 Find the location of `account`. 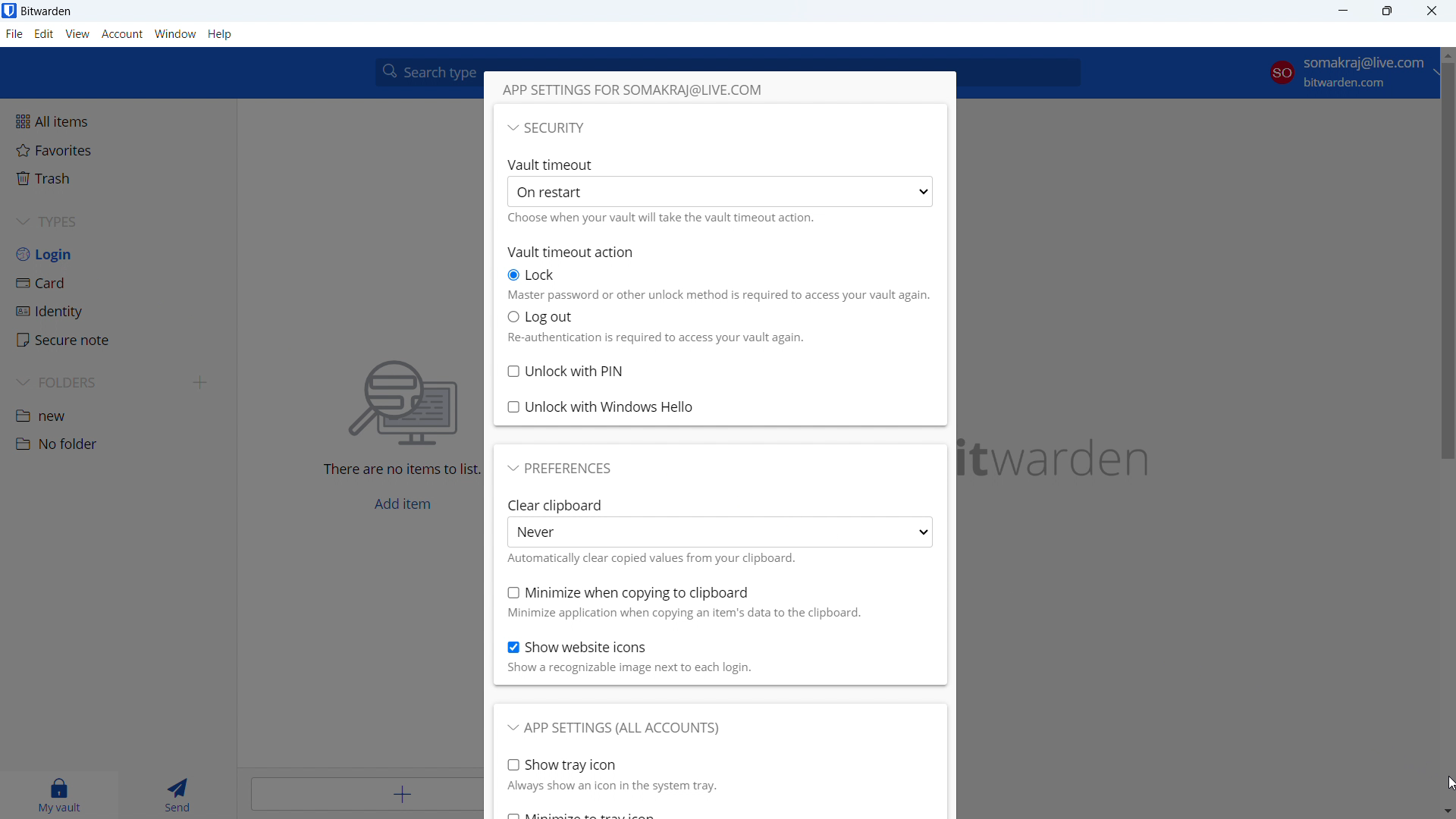

account is located at coordinates (1347, 75).